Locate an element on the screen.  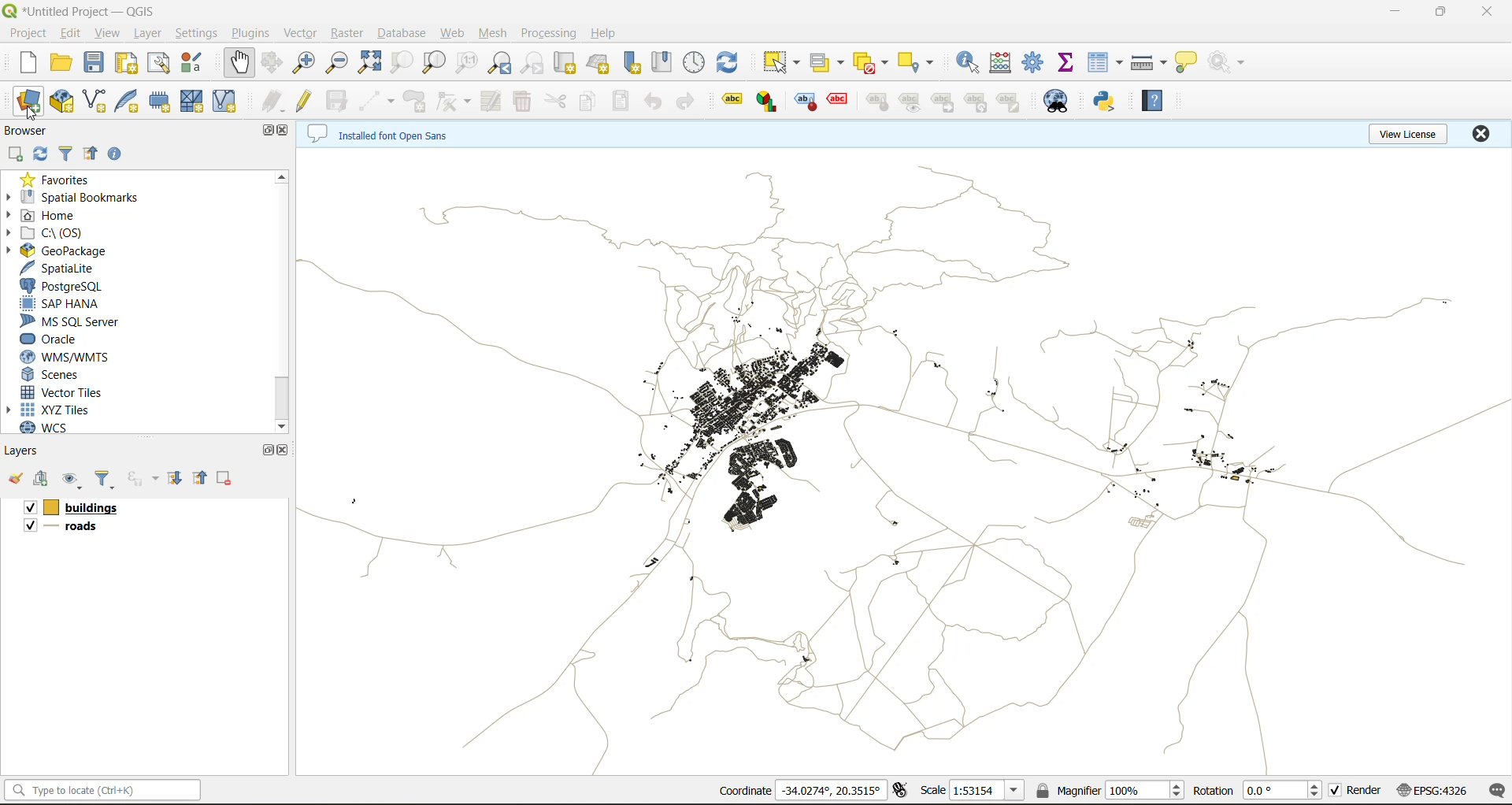
style management is located at coordinates (196, 62).